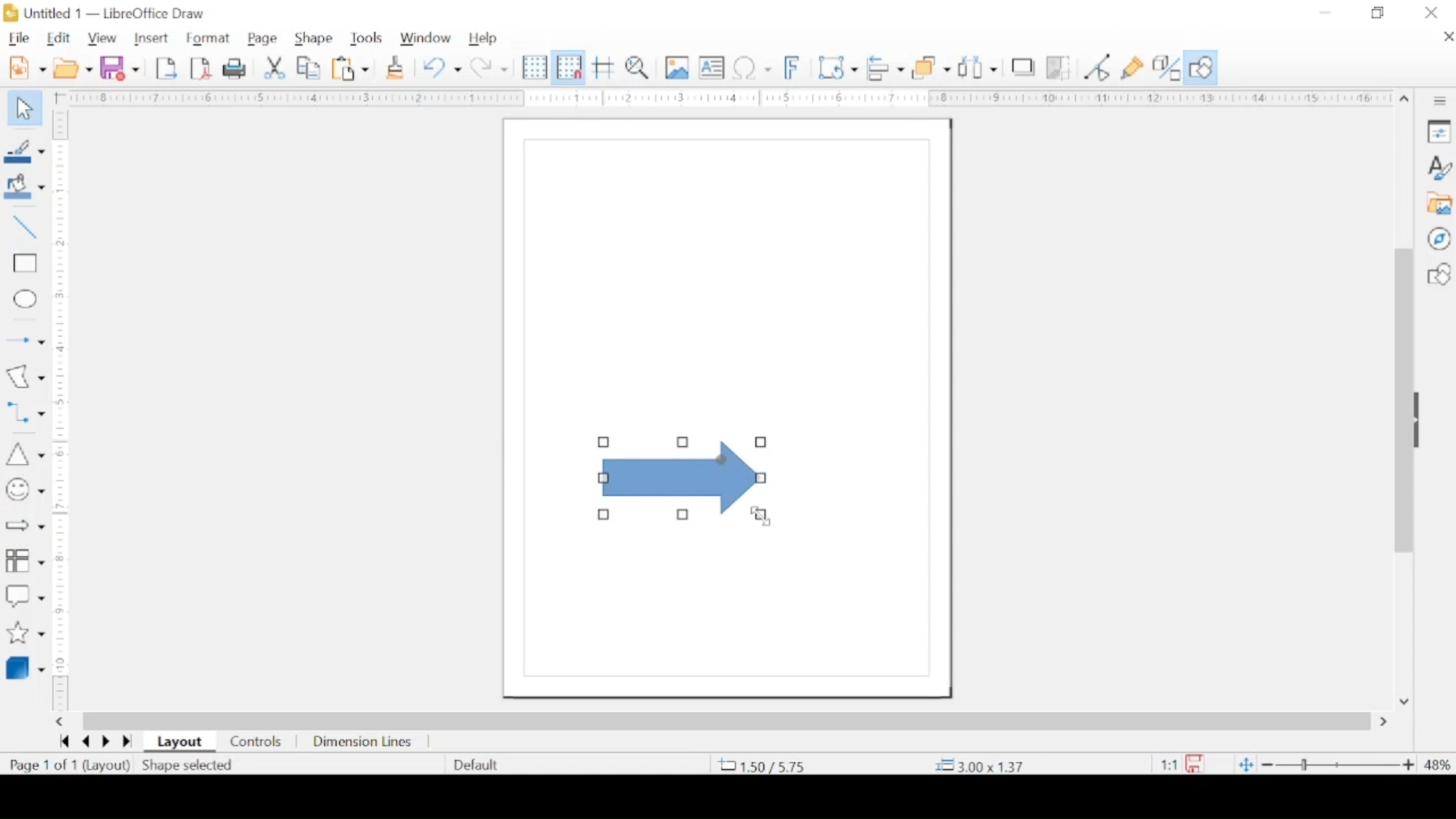 This screenshot has height=819, width=1456. What do you see at coordinates (368, 37) in the screenshot?
I see `tools` at bounding box center [368, 37].